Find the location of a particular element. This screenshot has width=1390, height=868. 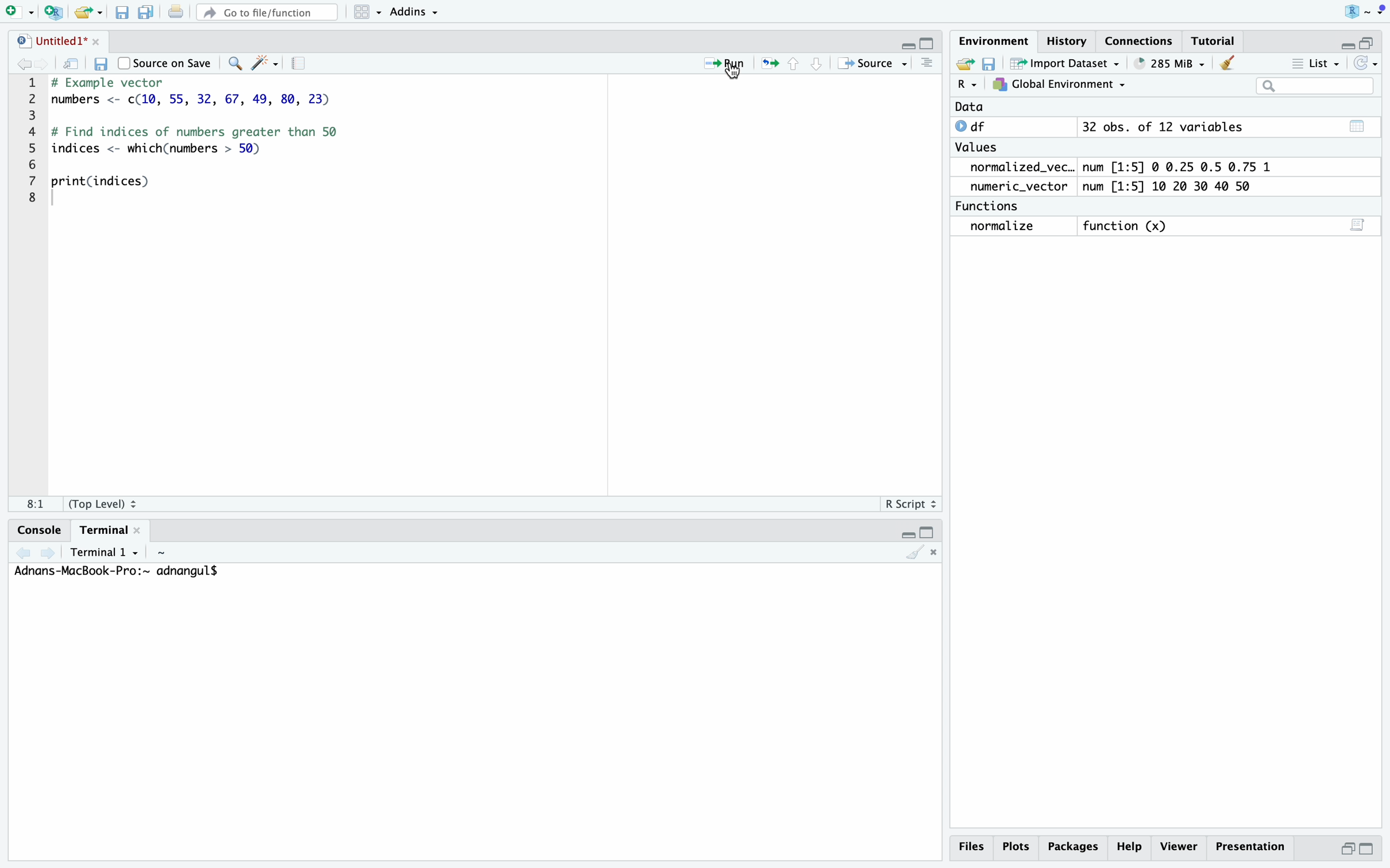

packages is located at coordinates (1076, 844).